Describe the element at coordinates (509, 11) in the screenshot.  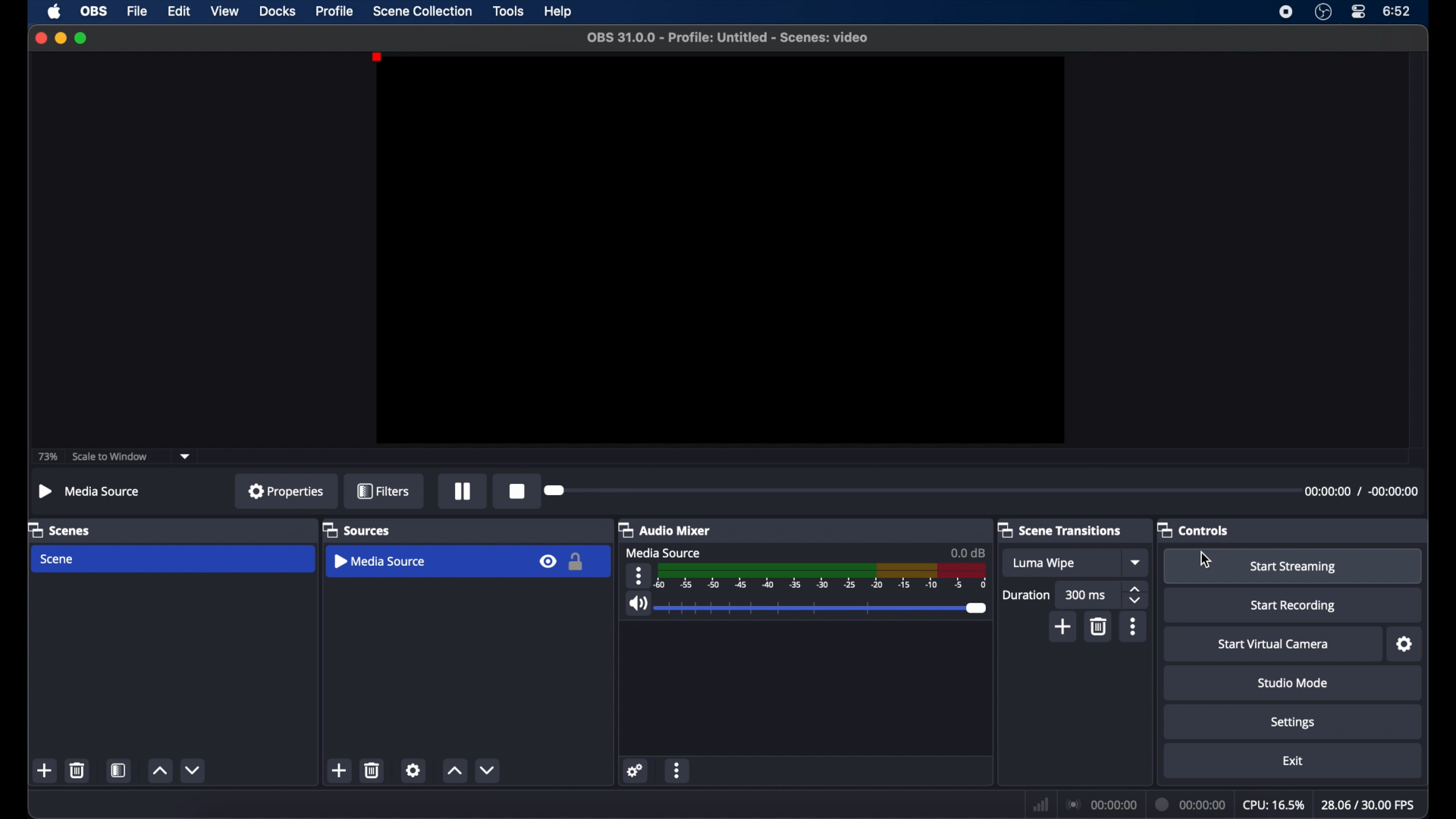
I see `tools` at that location.